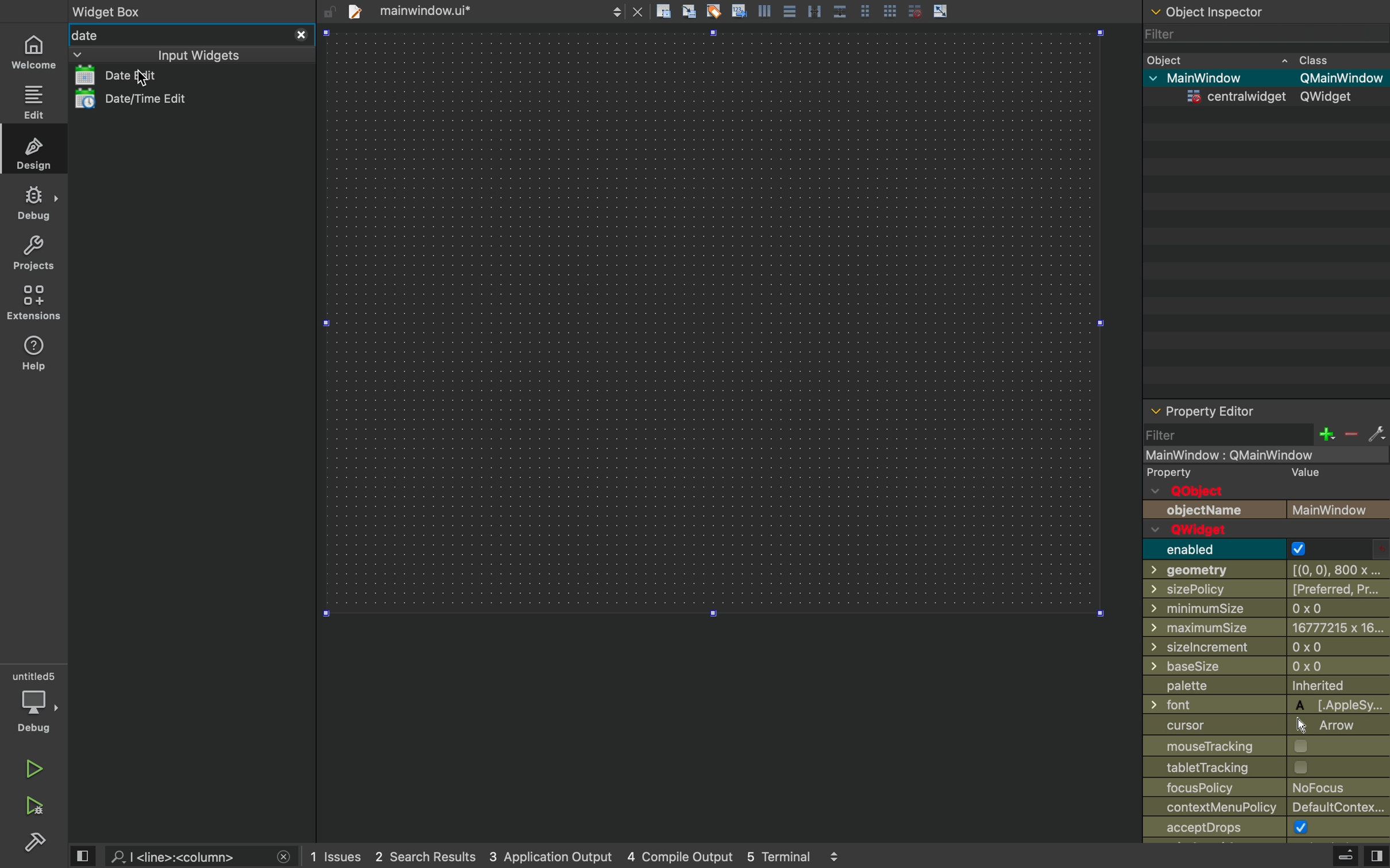 This screenshot has width=1390, height=868. What do you see at coordinates (1260, 828) in the screenshot?
I see `accept drops` at bounding box center [1260, 828].